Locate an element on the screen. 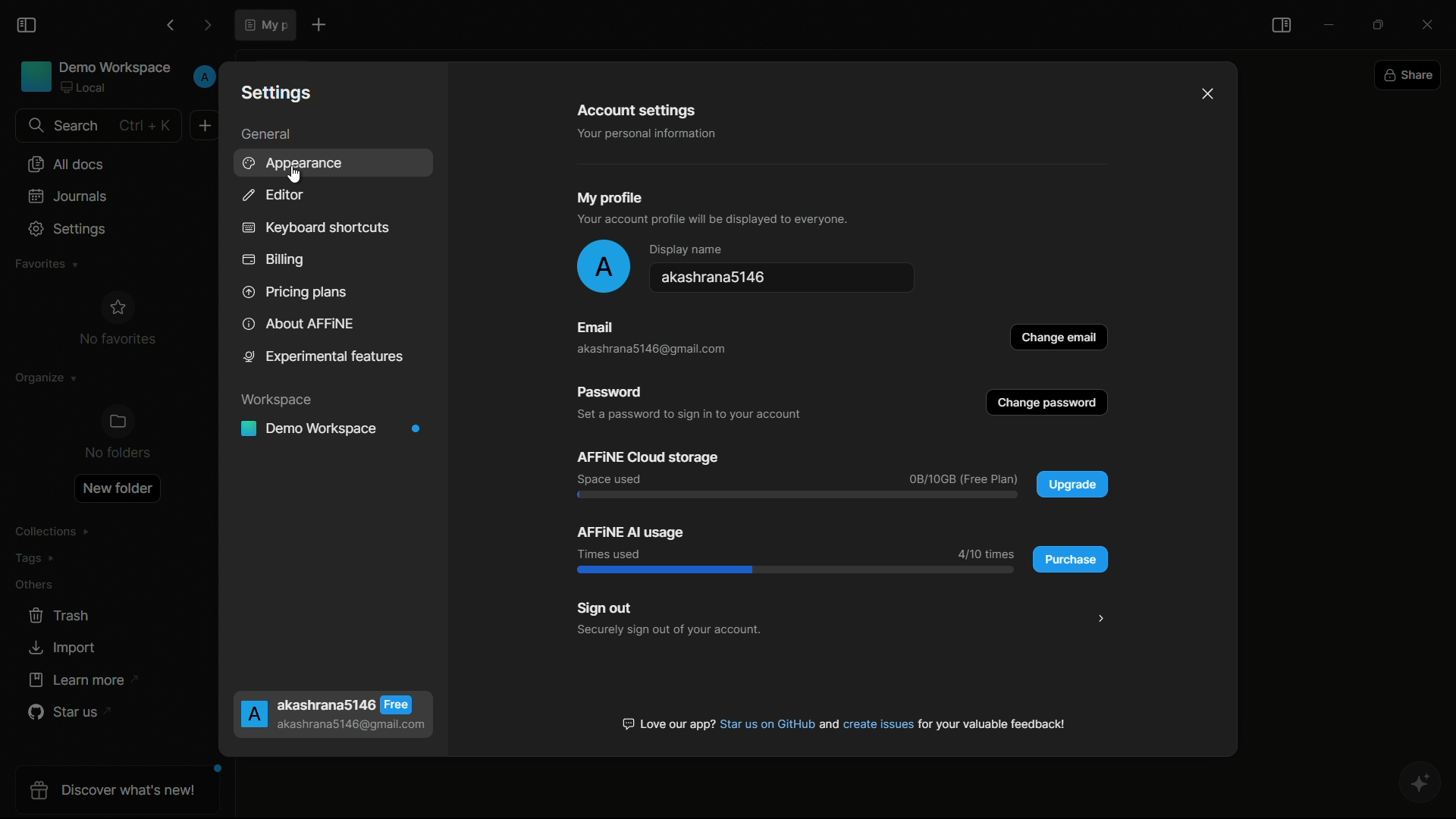 Image resolution: width=1456 pixels, height=819 pixels. ai assistant is located at coordinates (1423, 785).